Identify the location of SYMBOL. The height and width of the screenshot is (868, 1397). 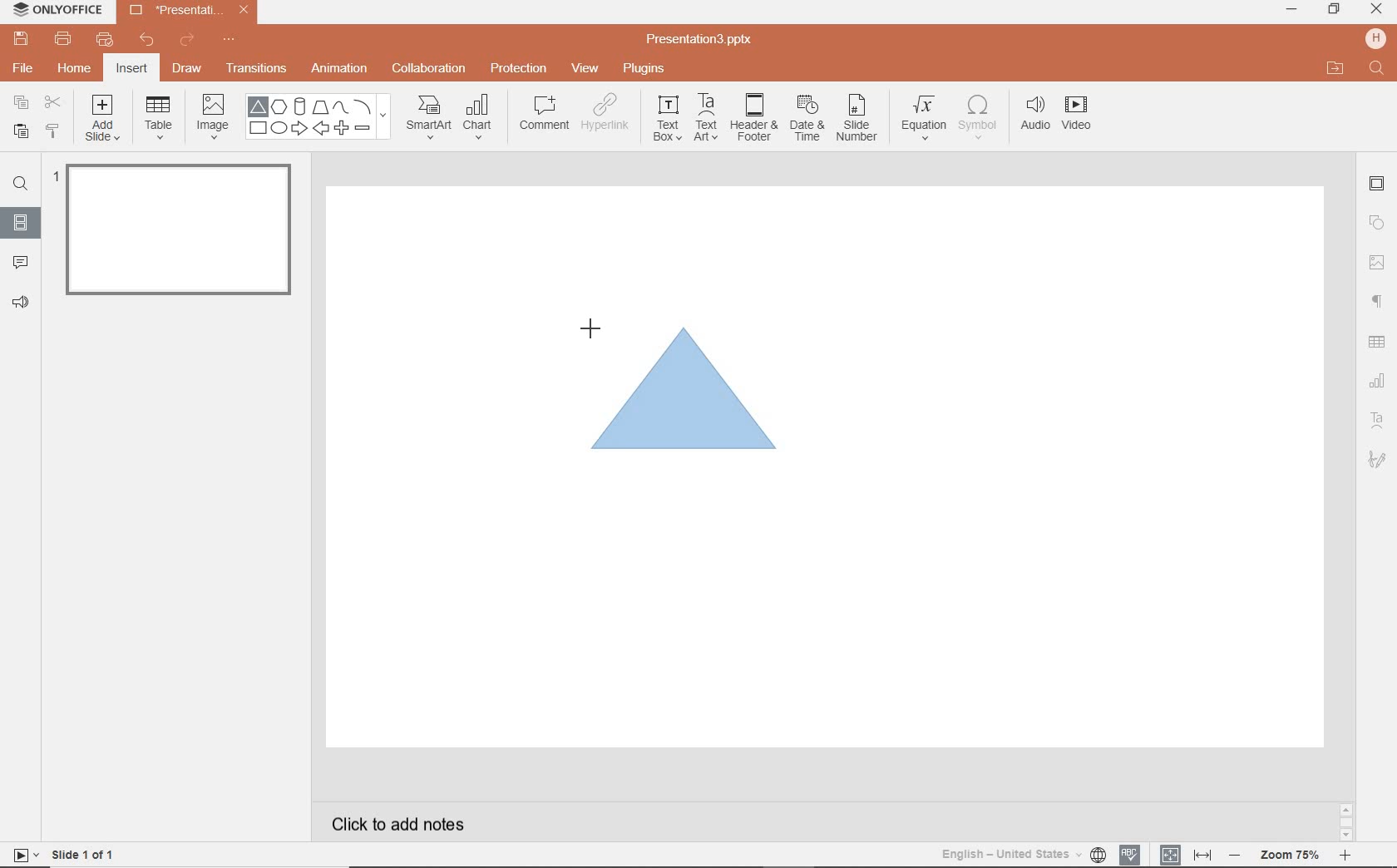
(980, 114).